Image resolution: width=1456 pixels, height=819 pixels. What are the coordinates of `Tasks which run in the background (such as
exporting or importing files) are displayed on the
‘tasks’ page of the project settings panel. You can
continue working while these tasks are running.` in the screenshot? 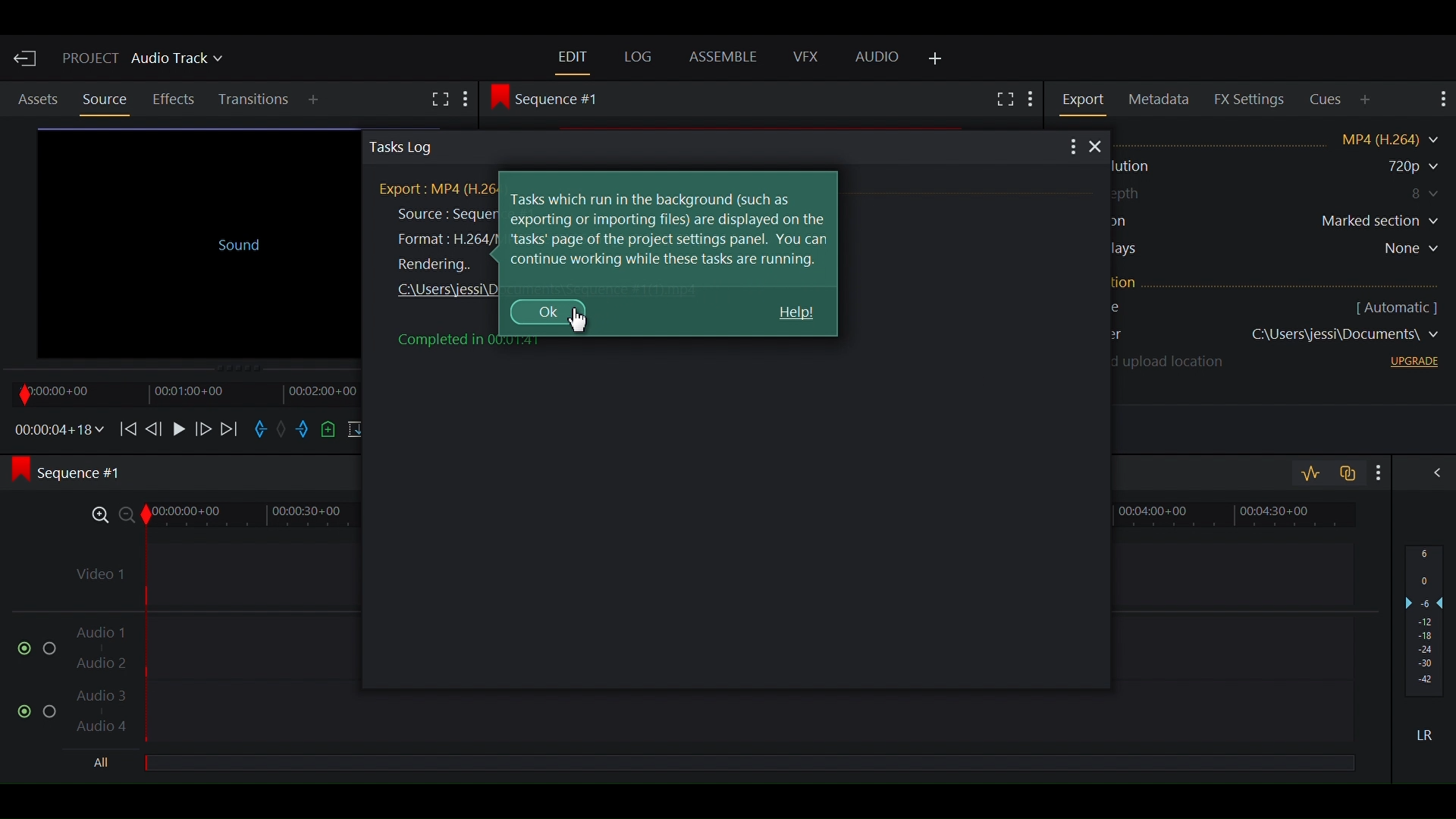 It's located at (670, 229).